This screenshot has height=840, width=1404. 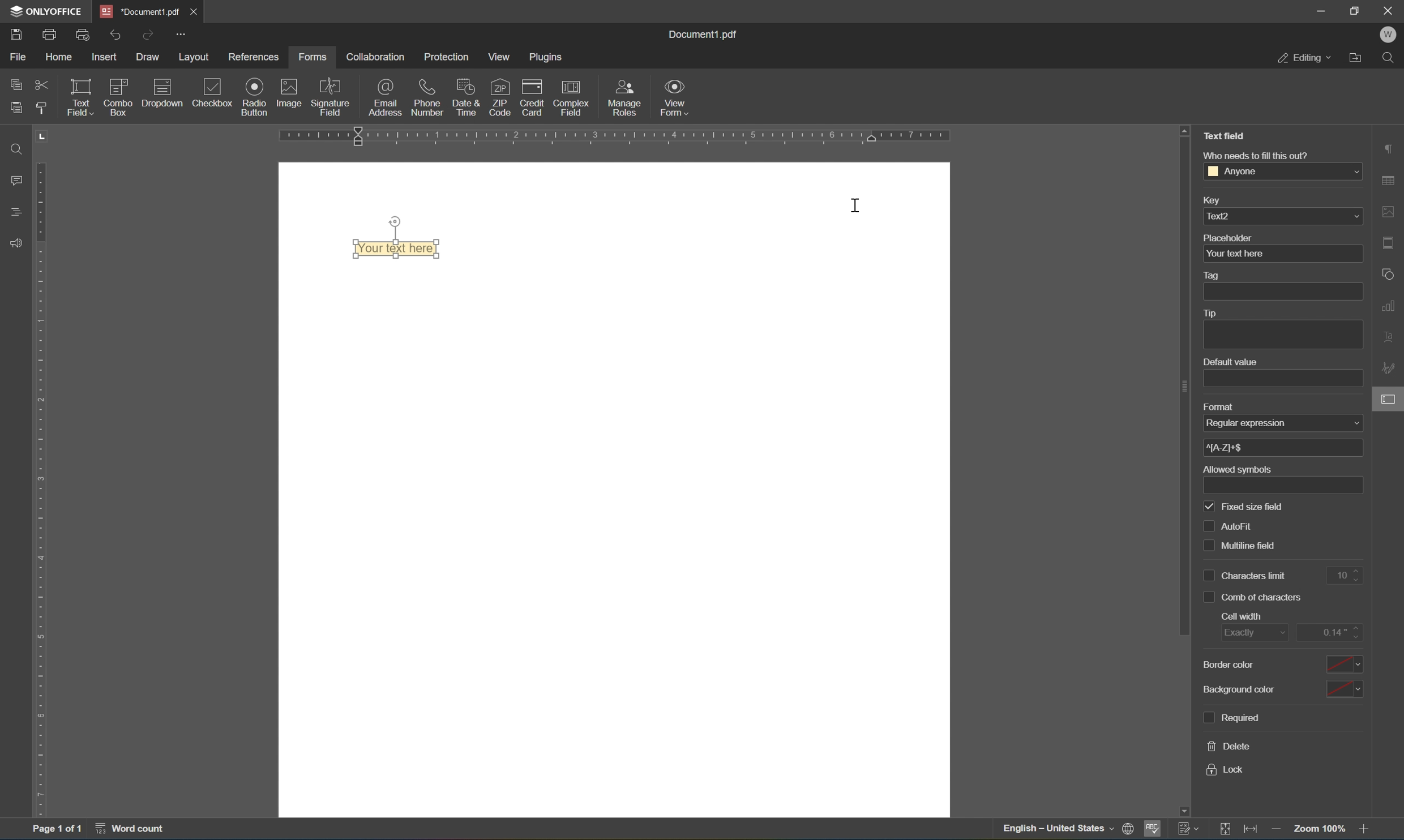 I want to click on close, so click(x=191, y=10).